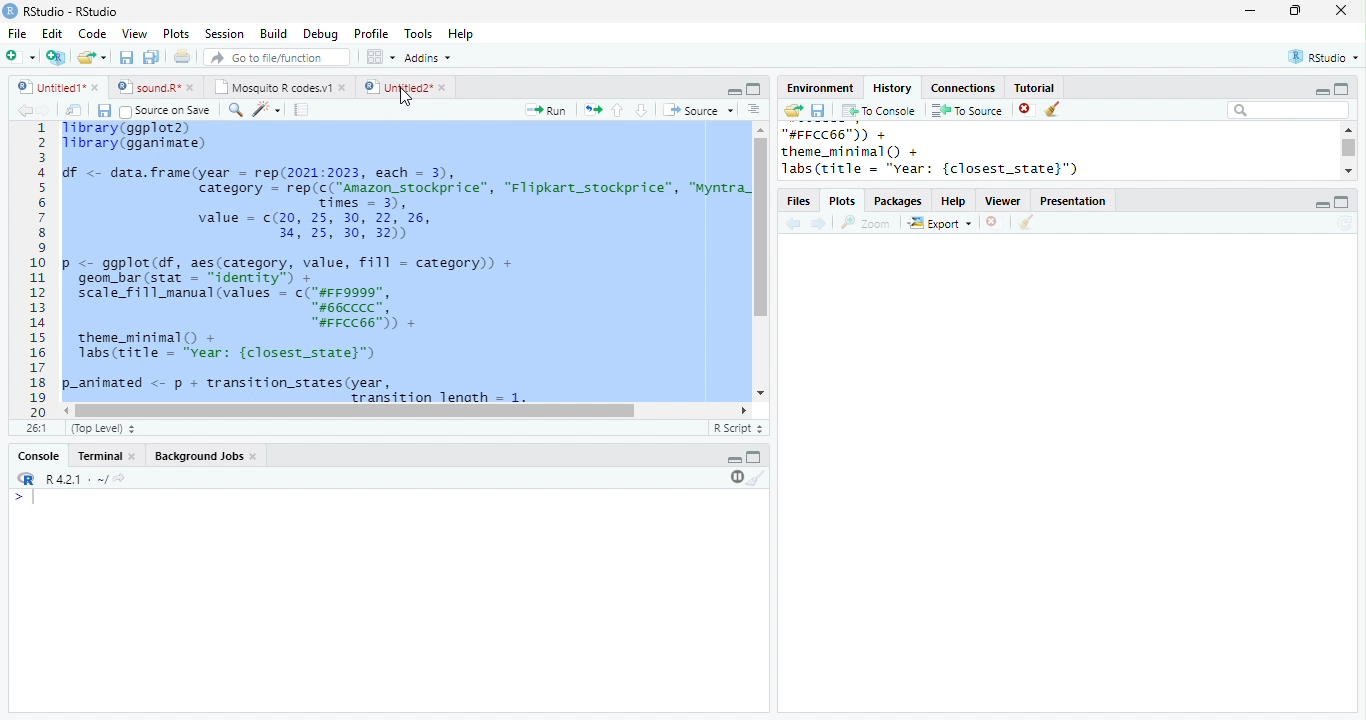 The width and height of the screenshot is (1366, 720). Describe the element at coordinates (1349, 129) in the screenshot. I see `scroll up` at that location.